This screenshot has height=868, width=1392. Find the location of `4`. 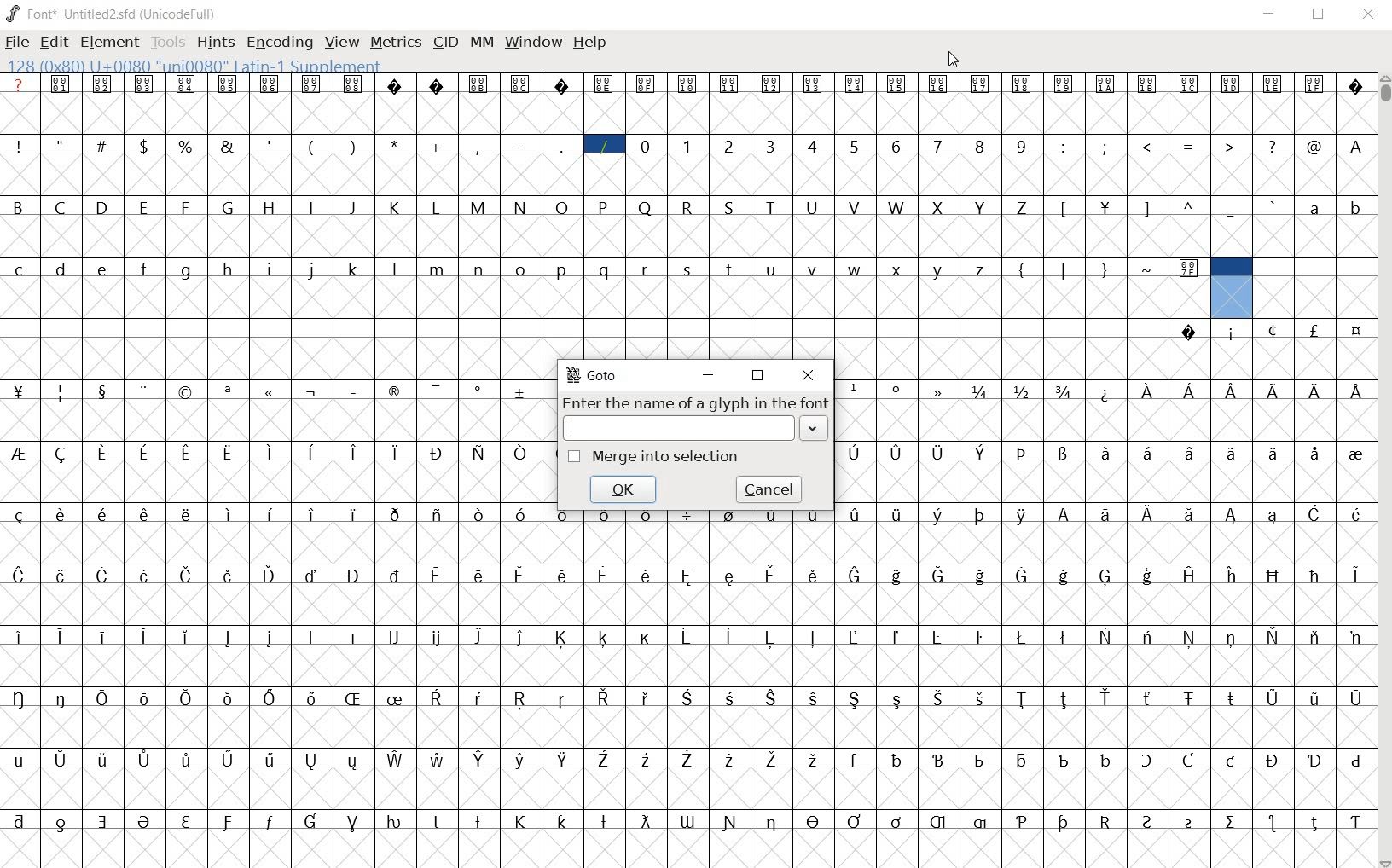

4 is located at coordinates (815, 147).